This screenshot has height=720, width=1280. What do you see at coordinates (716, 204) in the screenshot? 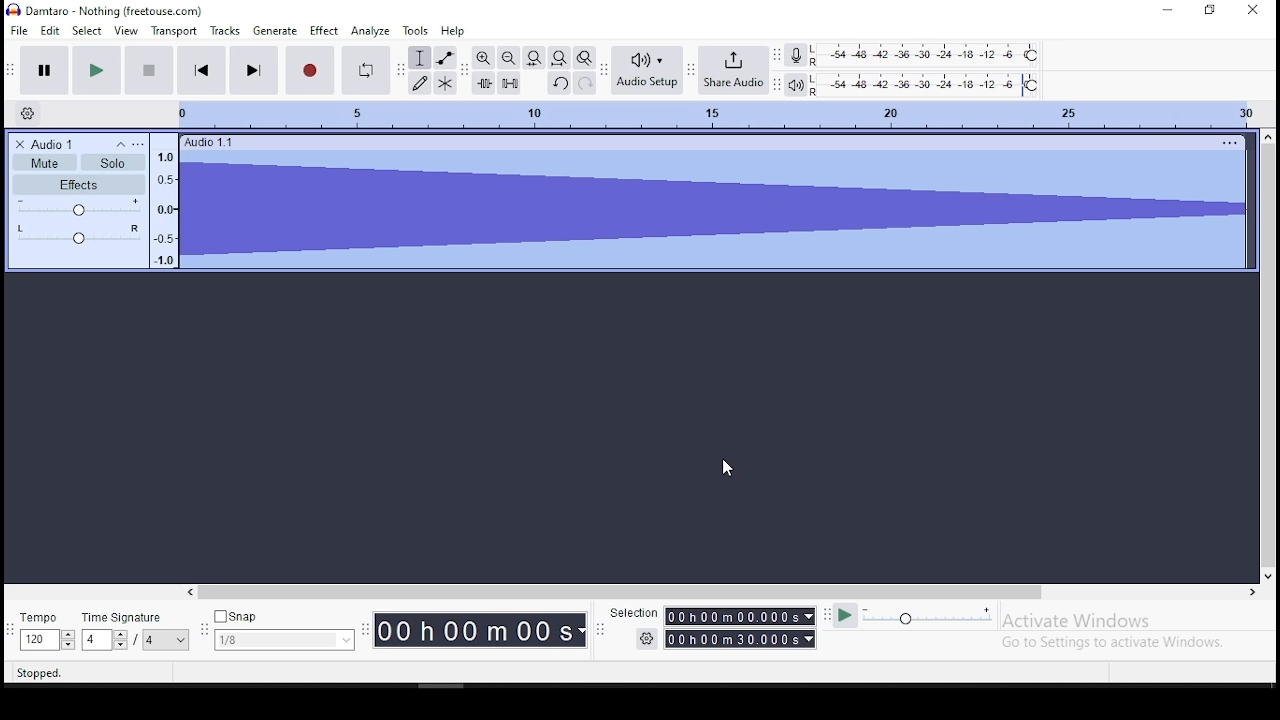
I see `audio clip` at bounding box center [716, 204].